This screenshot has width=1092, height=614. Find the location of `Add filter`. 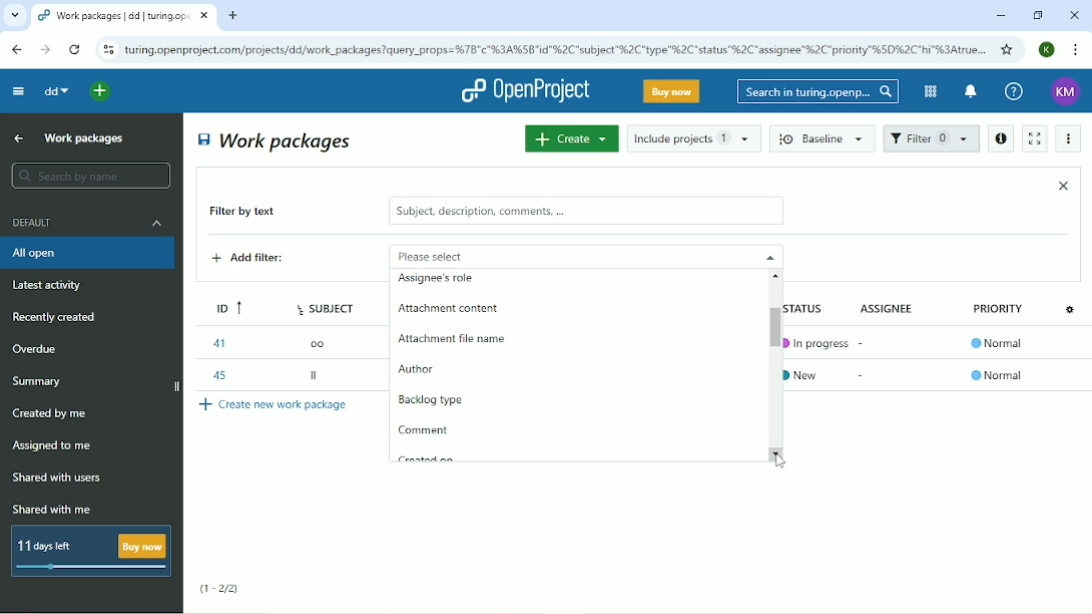

Add filter is located at coordinates (263, 260).